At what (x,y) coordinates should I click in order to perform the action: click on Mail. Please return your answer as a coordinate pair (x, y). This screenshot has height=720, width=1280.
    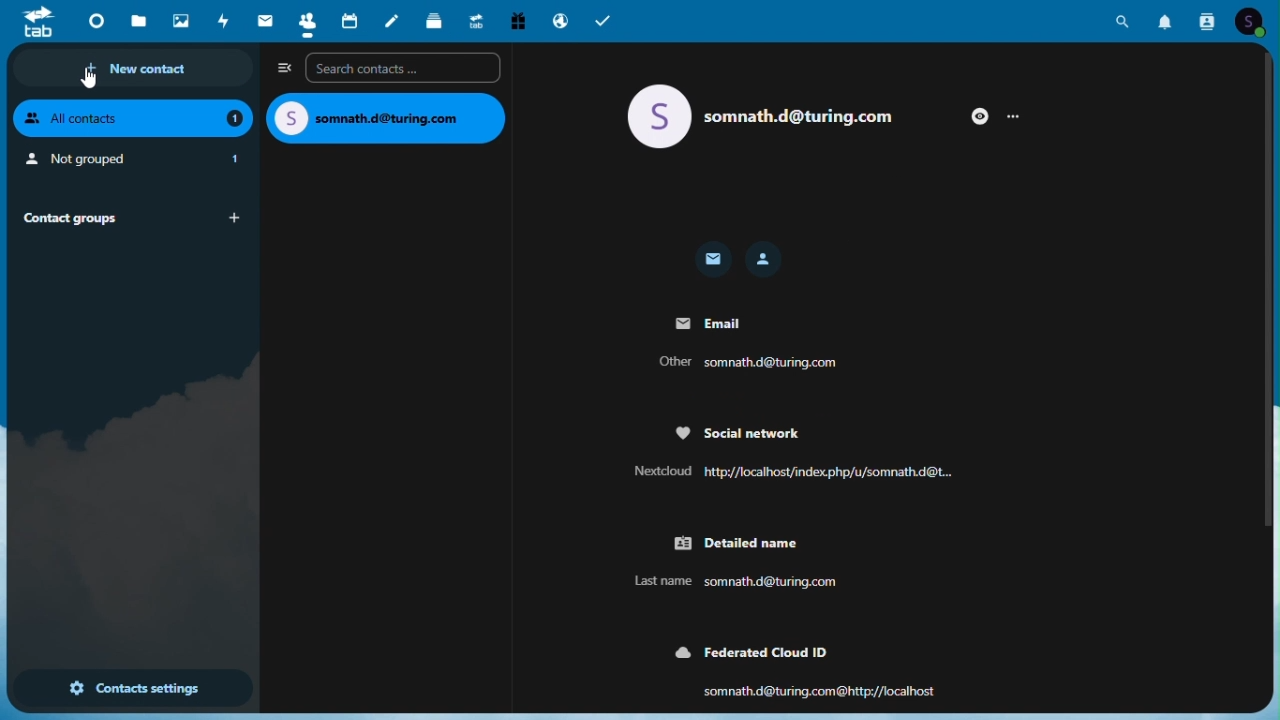
    Looking at the image, I should click on (261, 22).